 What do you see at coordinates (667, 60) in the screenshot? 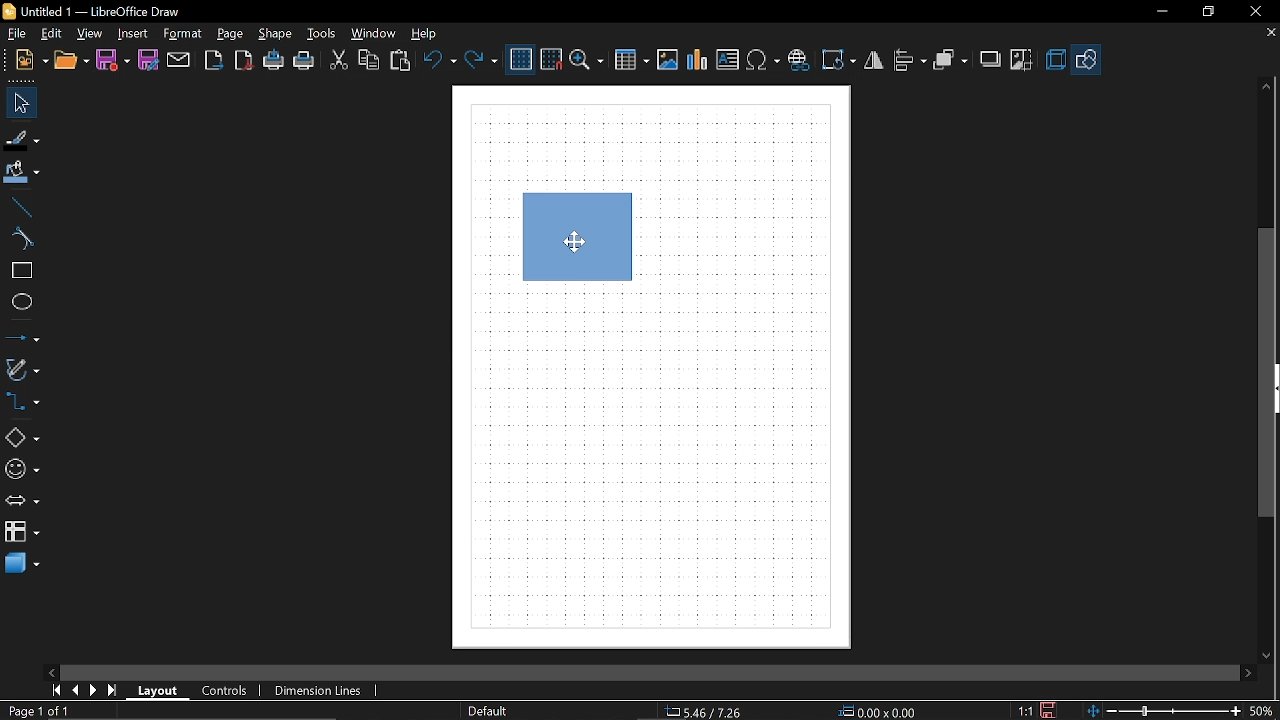
I see `Insert image` at bounding box center [667, 60].